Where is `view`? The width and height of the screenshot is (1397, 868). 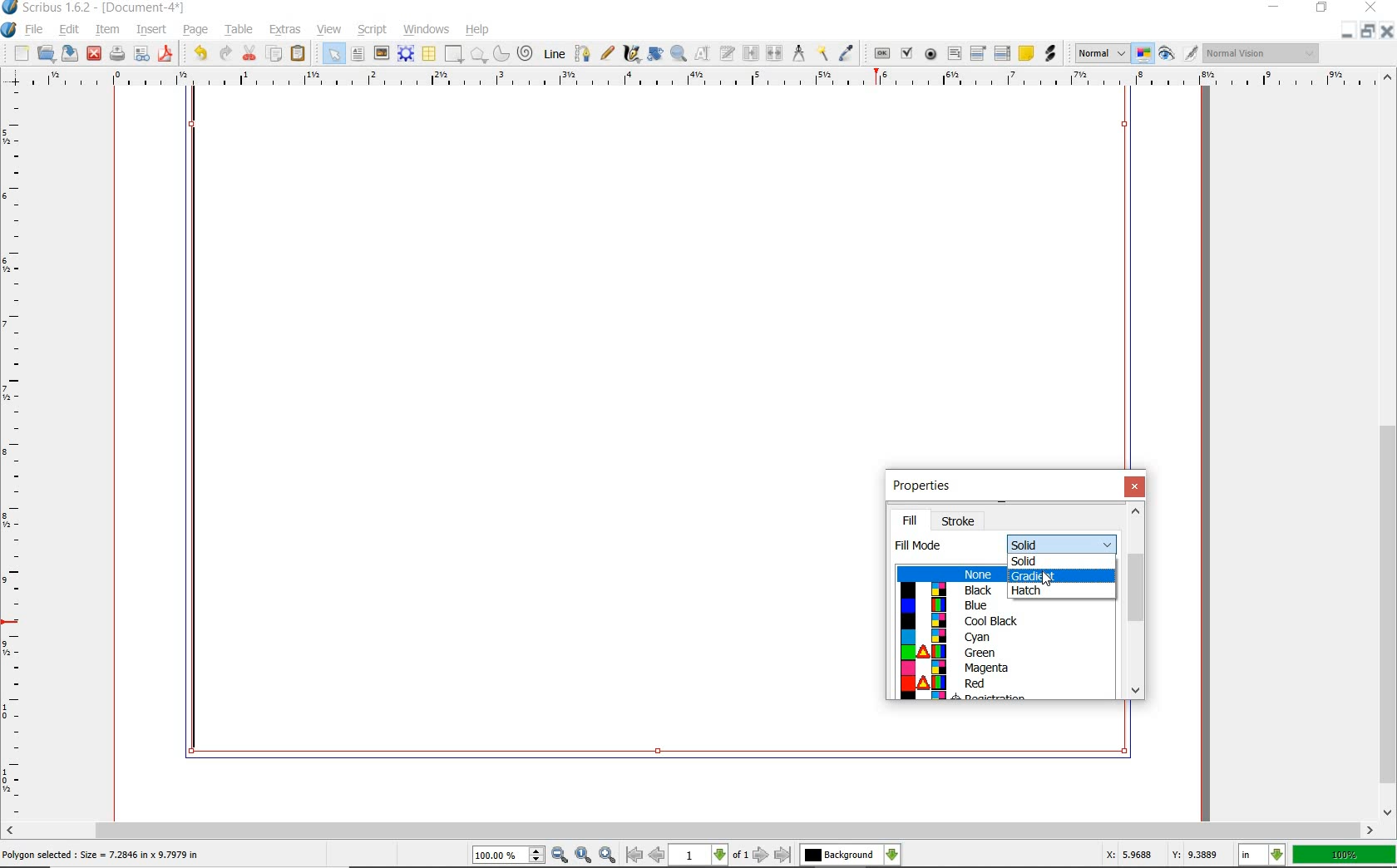 view is located at coordinates (329, 30).